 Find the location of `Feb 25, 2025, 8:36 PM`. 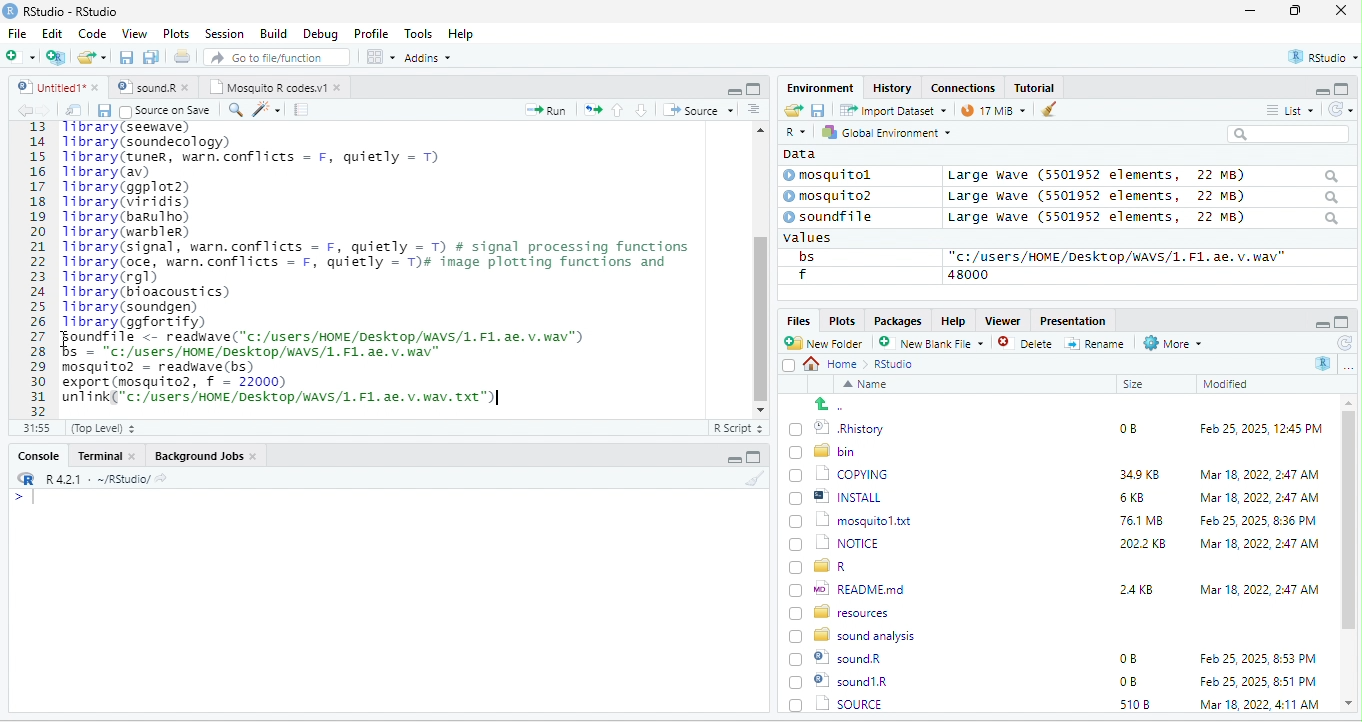

Feb 25, 2025, 8:36 PM is located at coordinates (1254, 520).